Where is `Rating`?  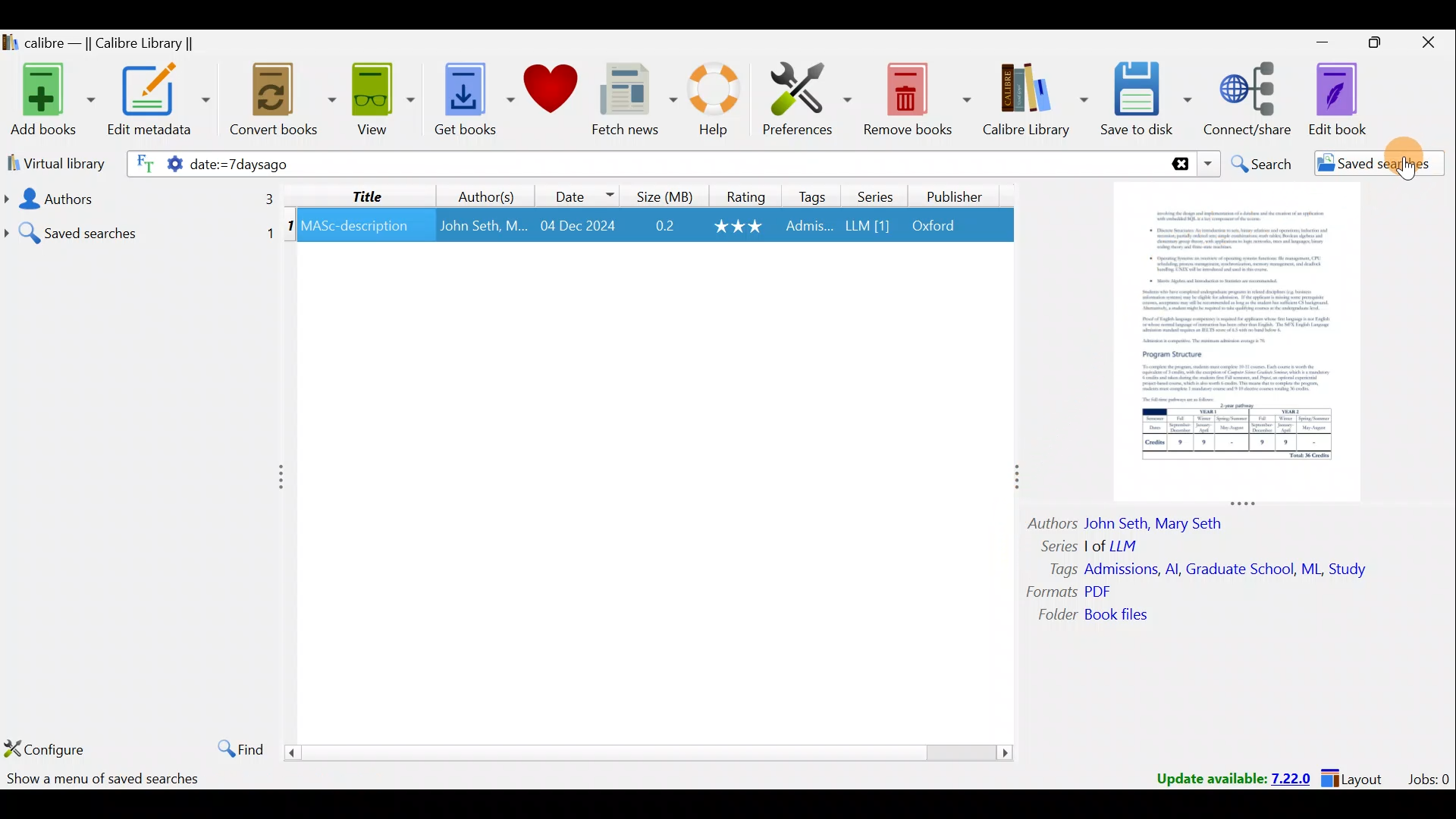
Rating is located at coordinates (742, 195).